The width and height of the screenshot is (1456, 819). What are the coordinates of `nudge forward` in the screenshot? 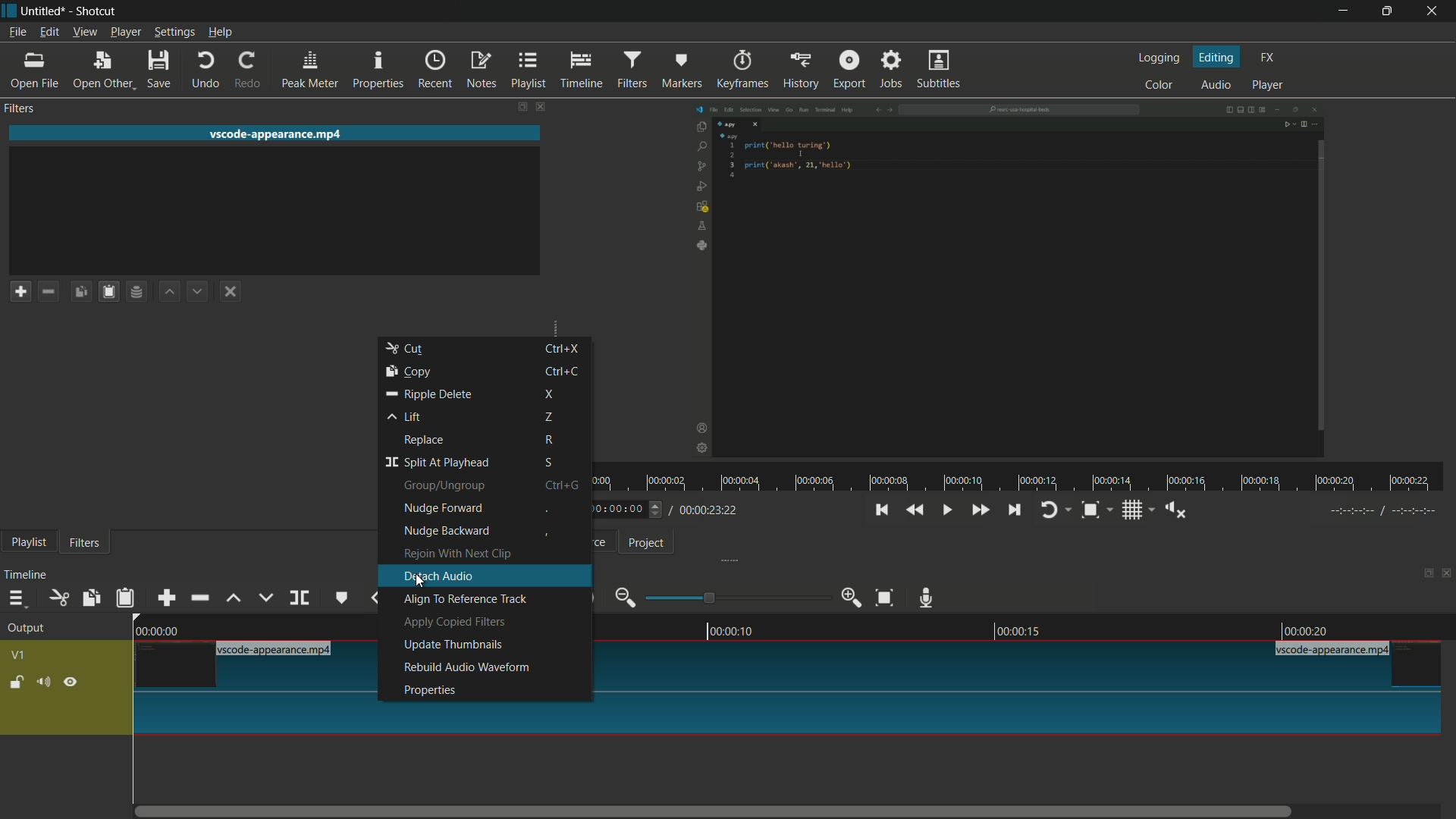 It's located at (444, 508).